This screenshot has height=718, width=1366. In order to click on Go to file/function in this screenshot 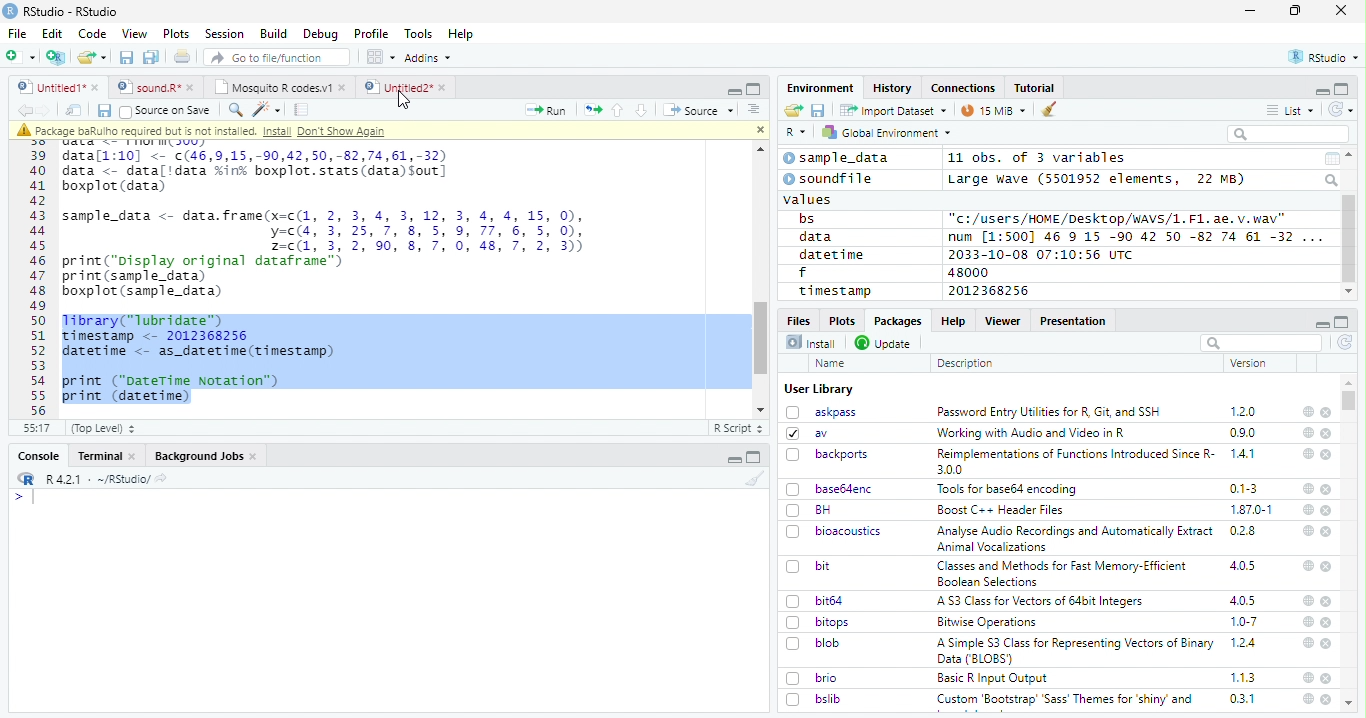, I will do `click(278, 57)`.